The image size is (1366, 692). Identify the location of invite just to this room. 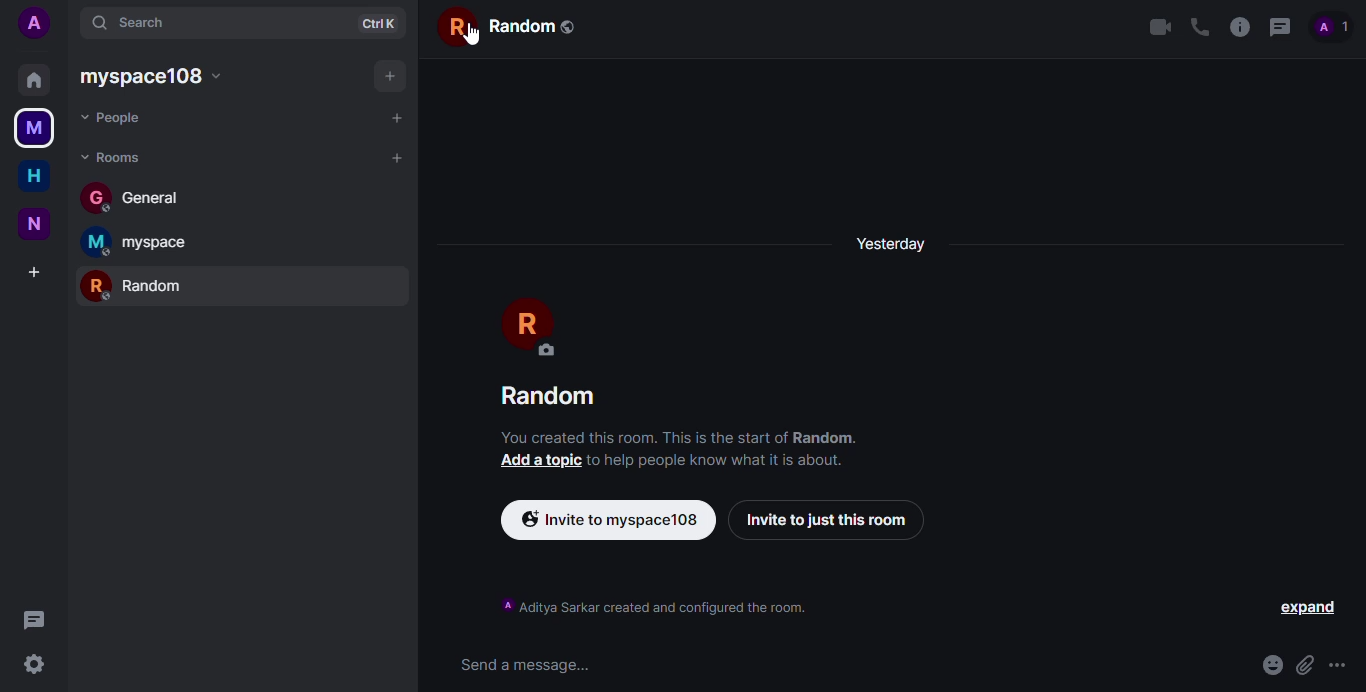
(824, 520).